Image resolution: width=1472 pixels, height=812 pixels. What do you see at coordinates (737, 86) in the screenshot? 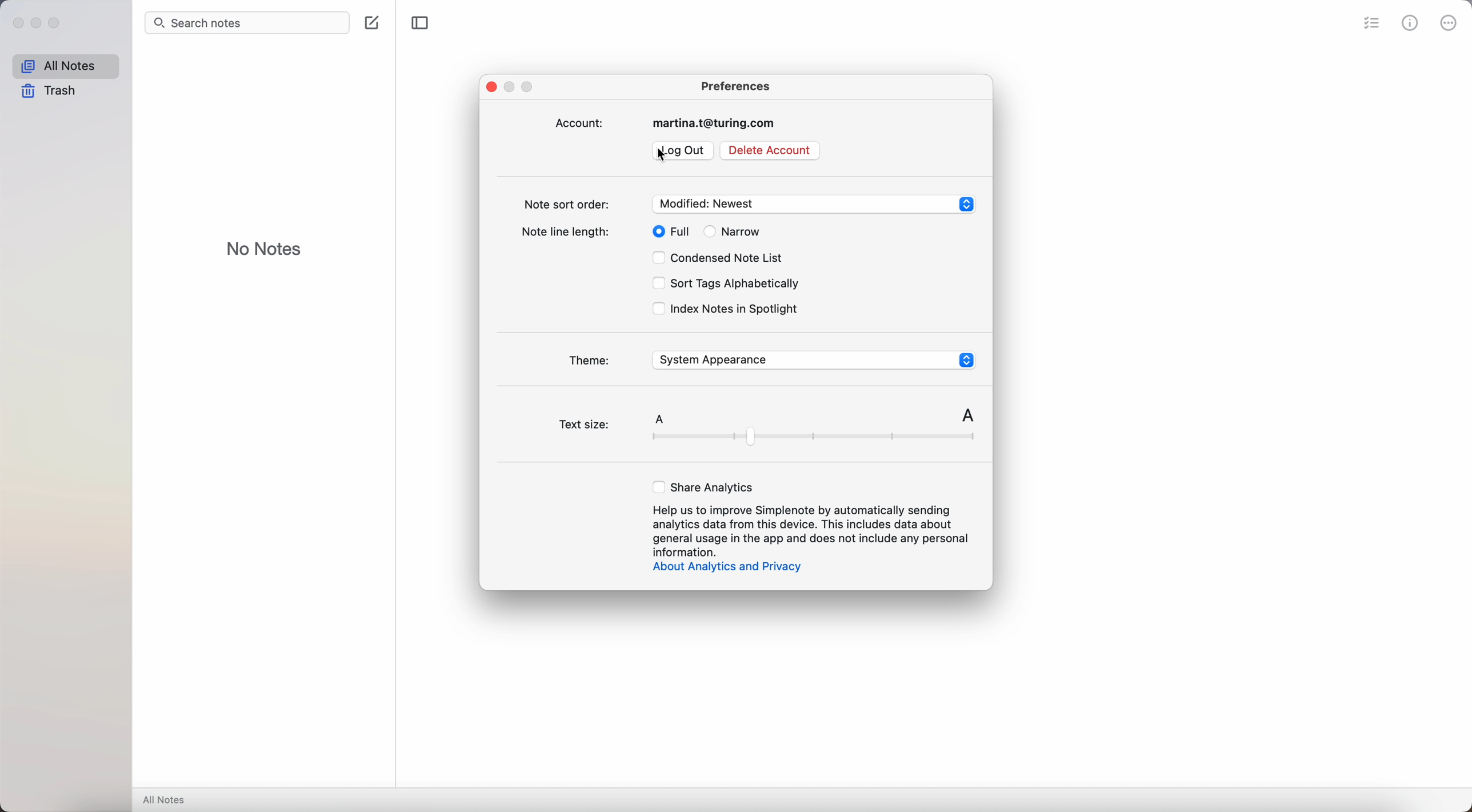
I see `preferences` at bounding box center [737, 86].